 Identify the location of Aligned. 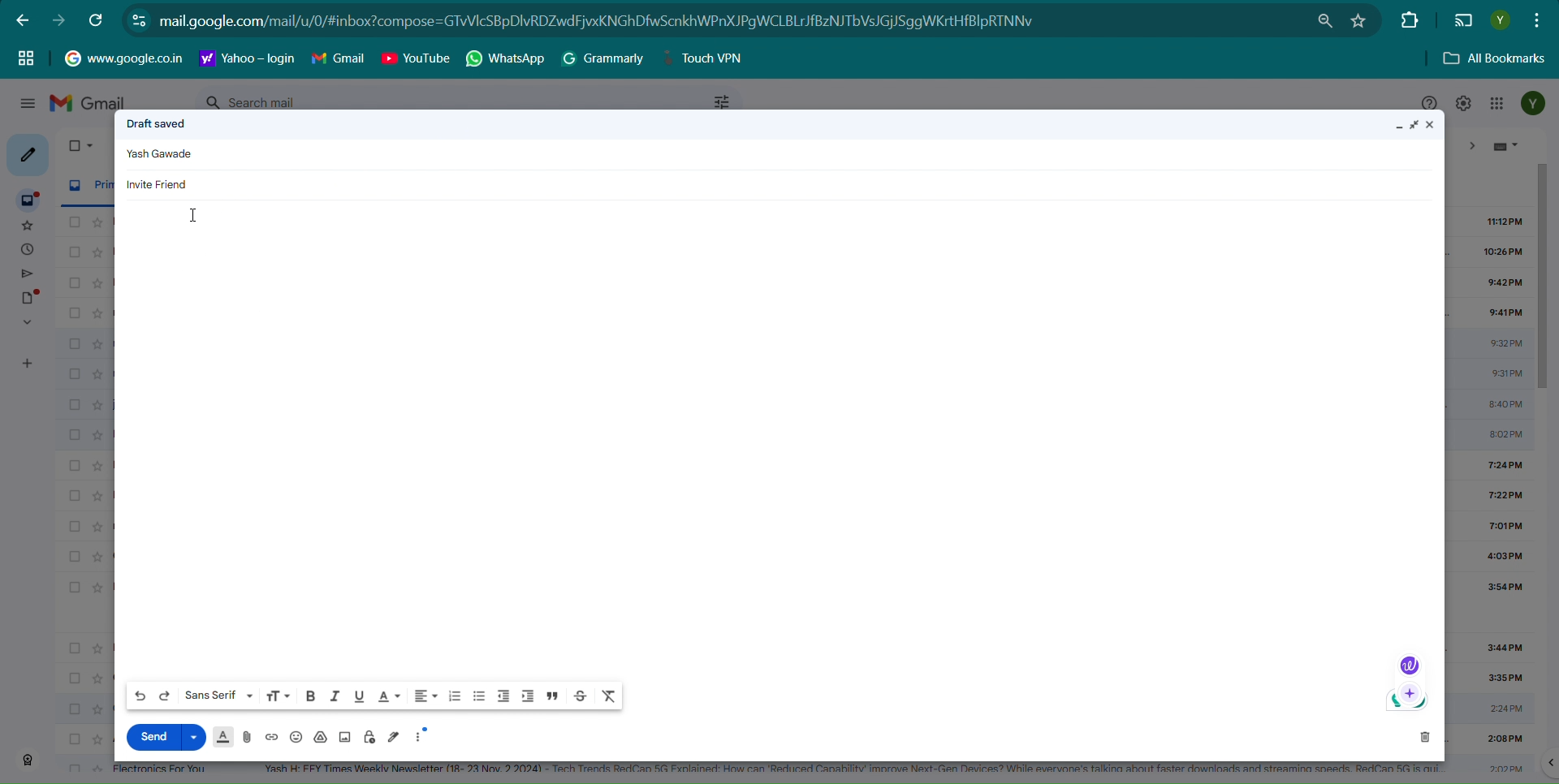
(425, 696).